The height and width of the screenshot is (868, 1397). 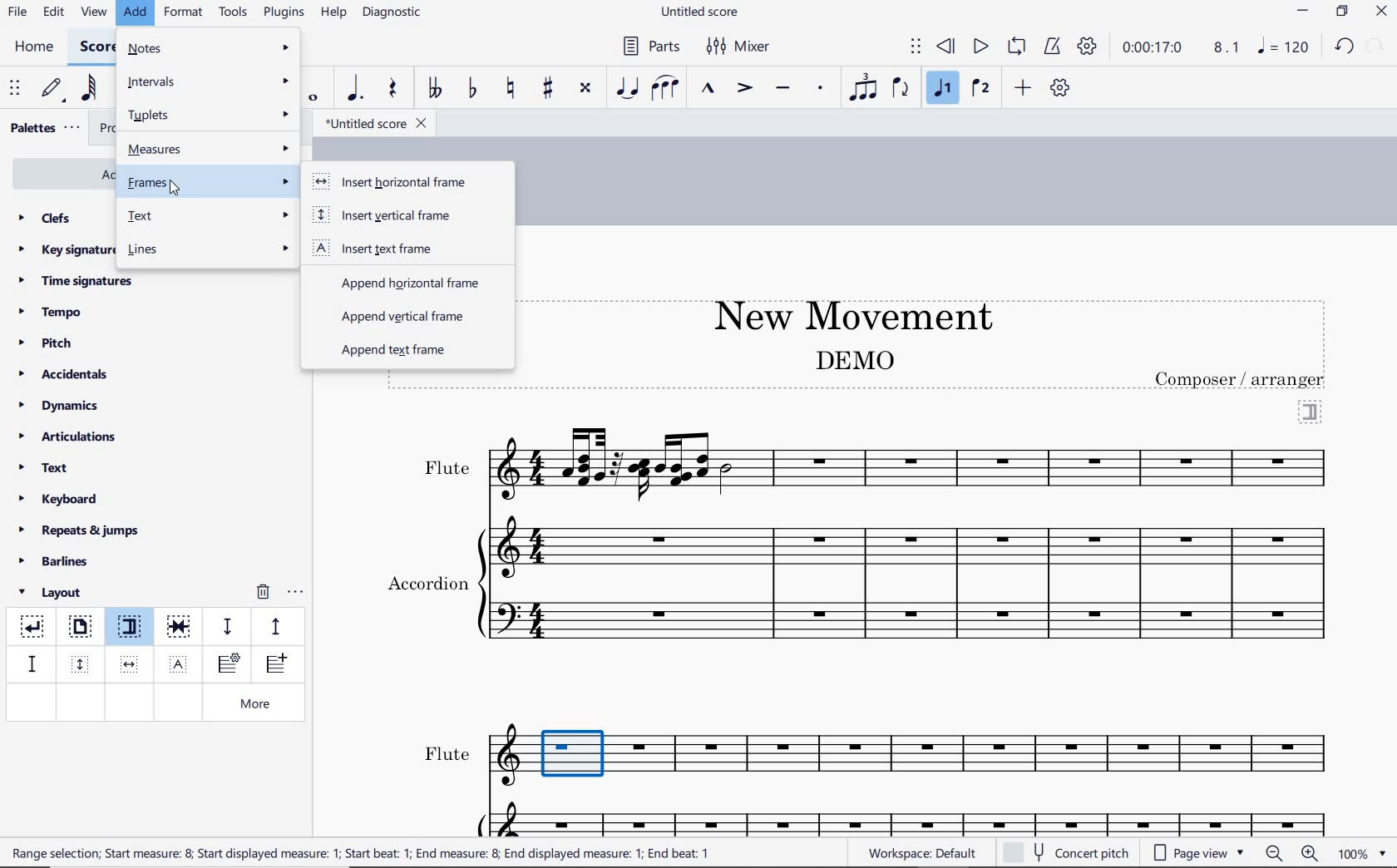 What do you see at coordinates (394, 14) in the screenshot?
I see `diagnostic` at bounding box center [394, 14].